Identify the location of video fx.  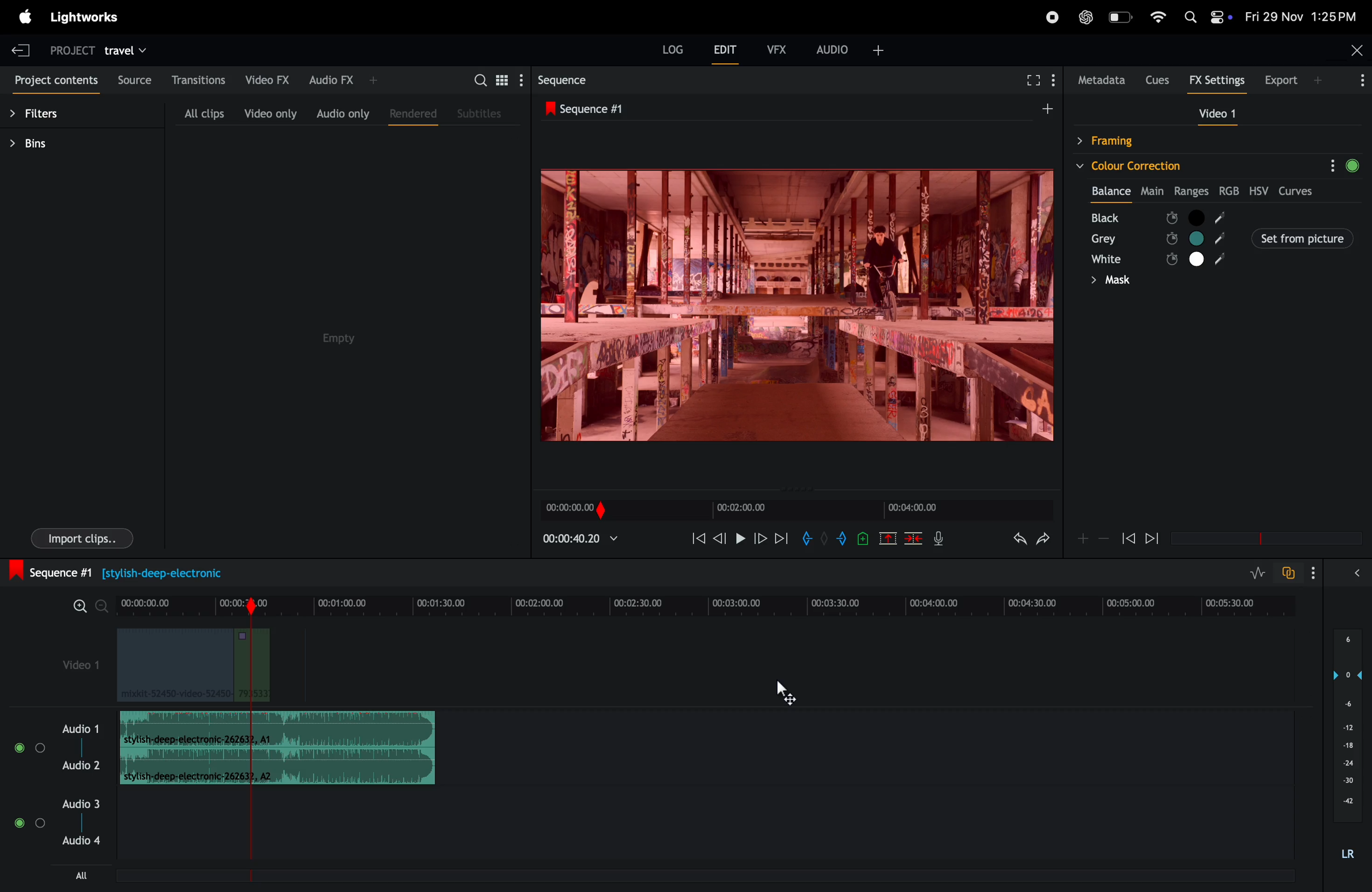
(267, 80).